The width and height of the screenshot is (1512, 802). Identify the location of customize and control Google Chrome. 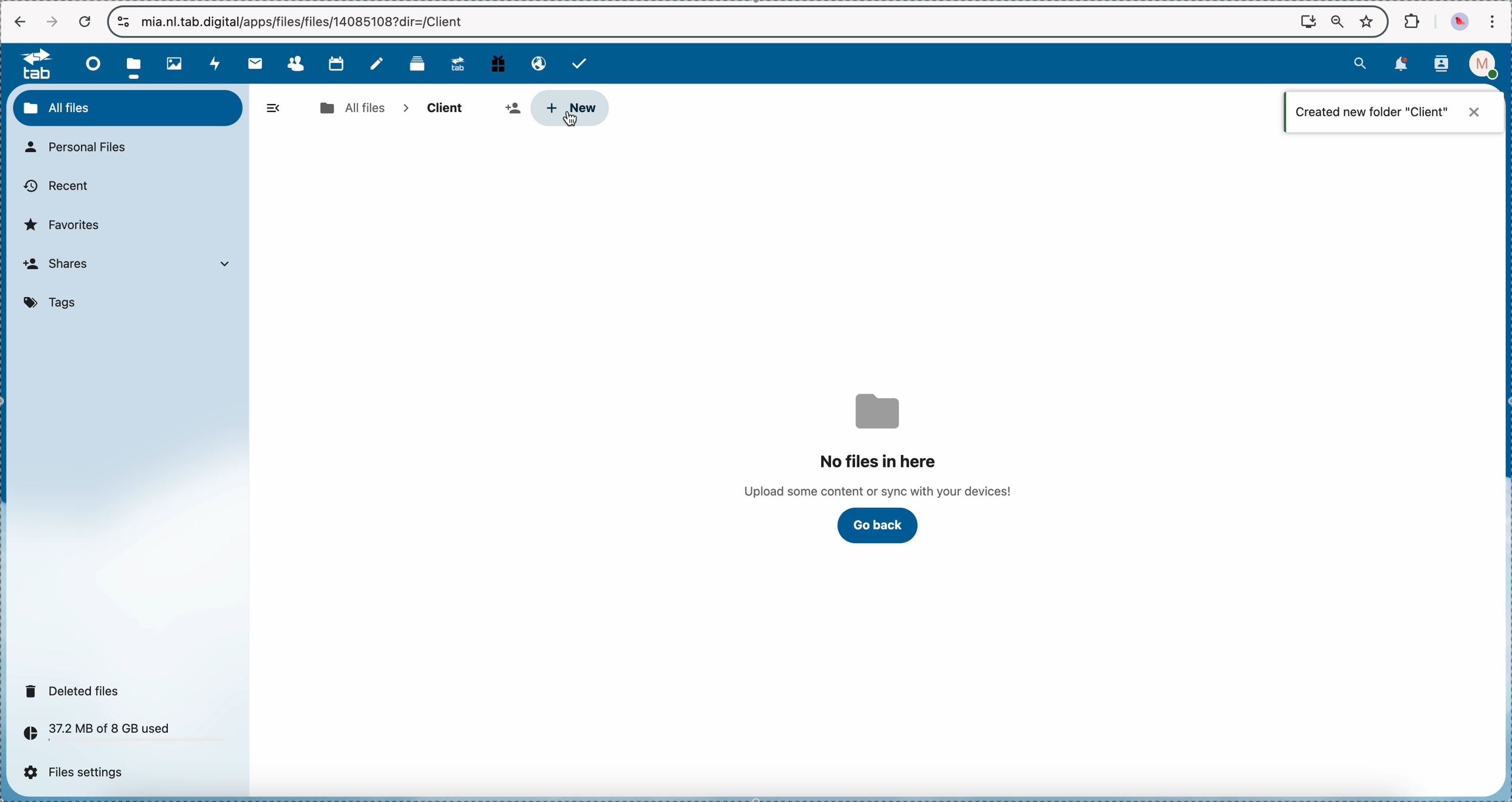
(1491, 21).